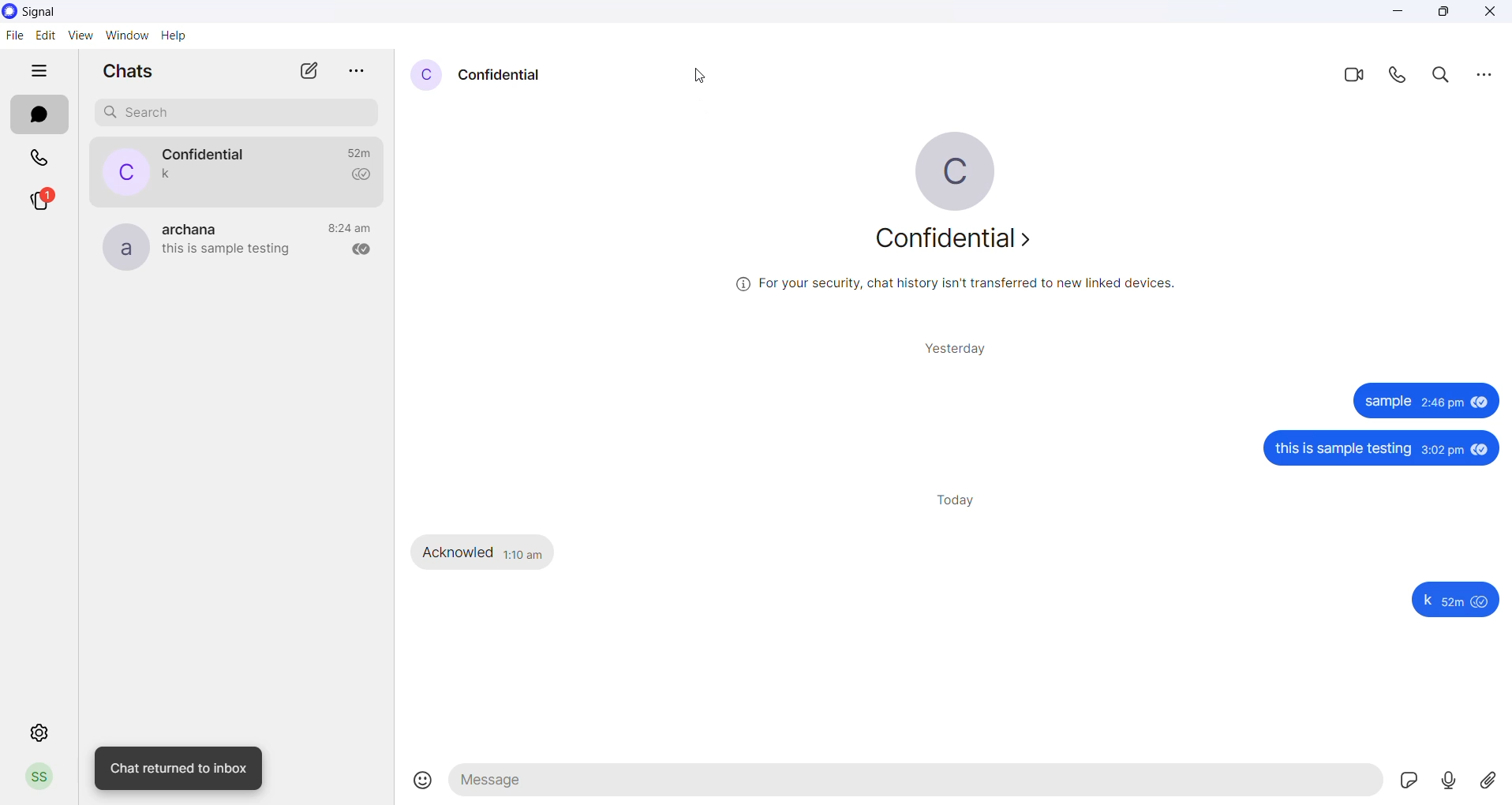  What do you see at coordinates (426, 73) in the screenshot?
I see `profile picture` at bounding box center [426, 73].